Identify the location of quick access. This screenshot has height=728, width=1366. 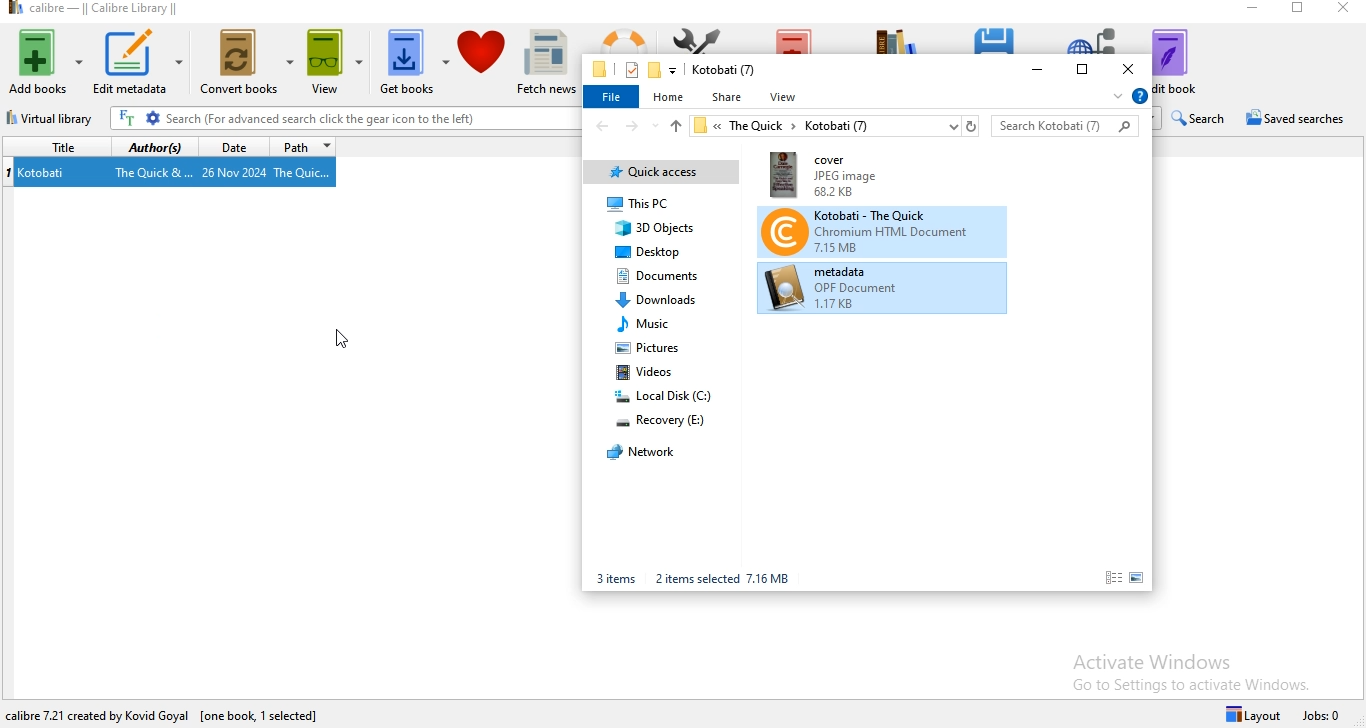
(664, 173).